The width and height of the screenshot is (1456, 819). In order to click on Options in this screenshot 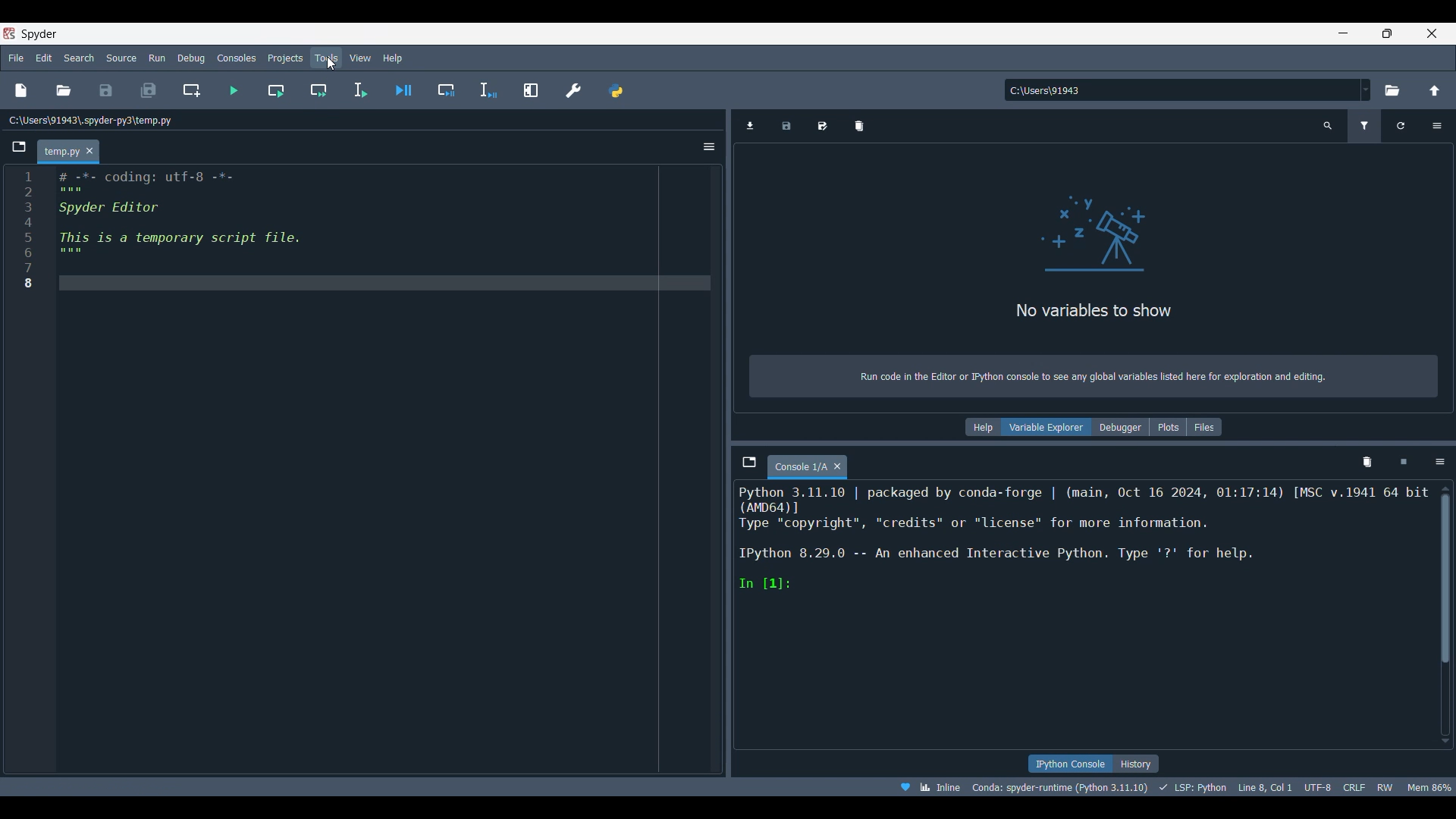, I will do `click(1436, 126)`.